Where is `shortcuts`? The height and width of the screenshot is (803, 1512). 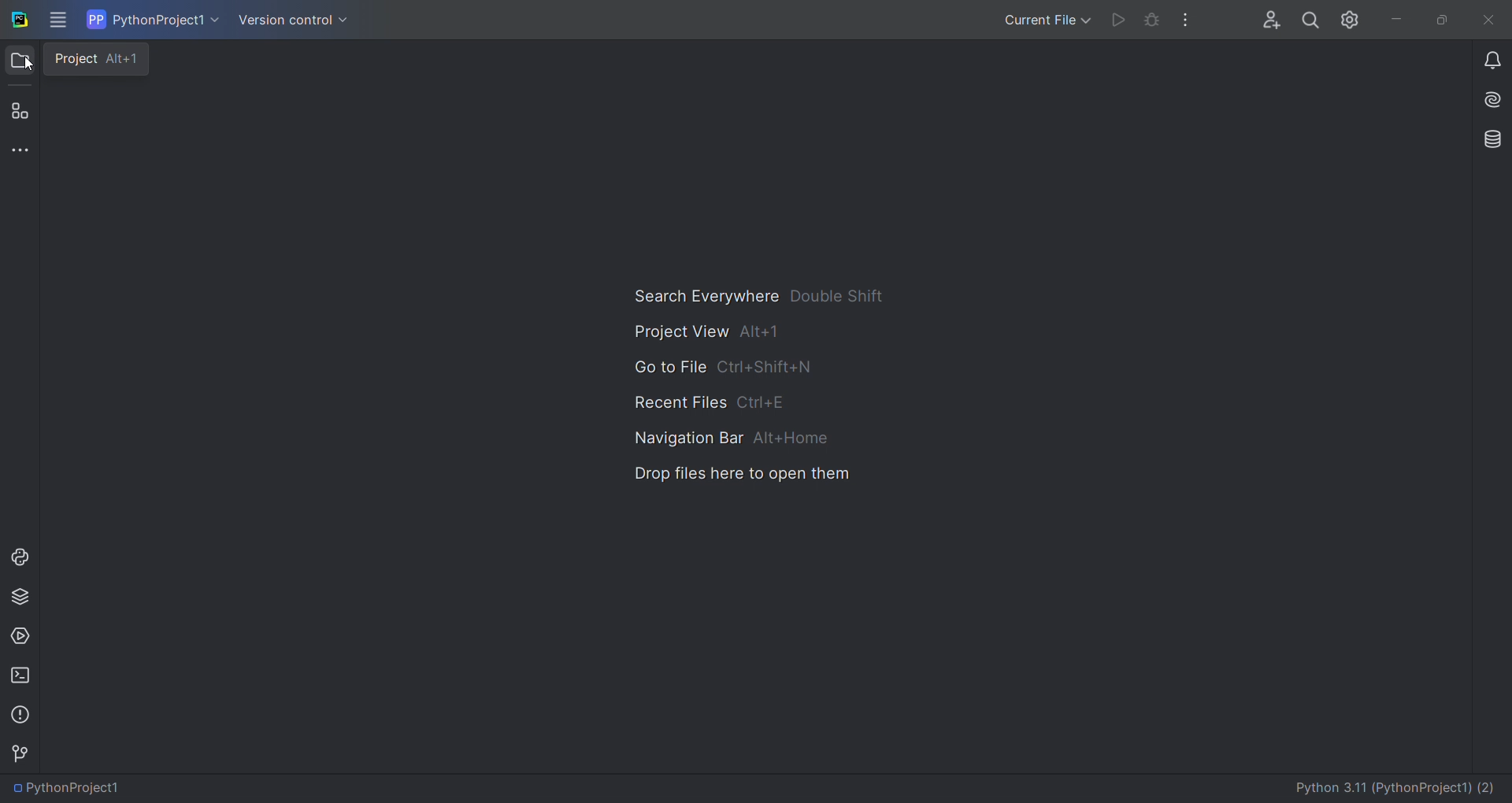 shortcuts is located at coordinates (755, 387).